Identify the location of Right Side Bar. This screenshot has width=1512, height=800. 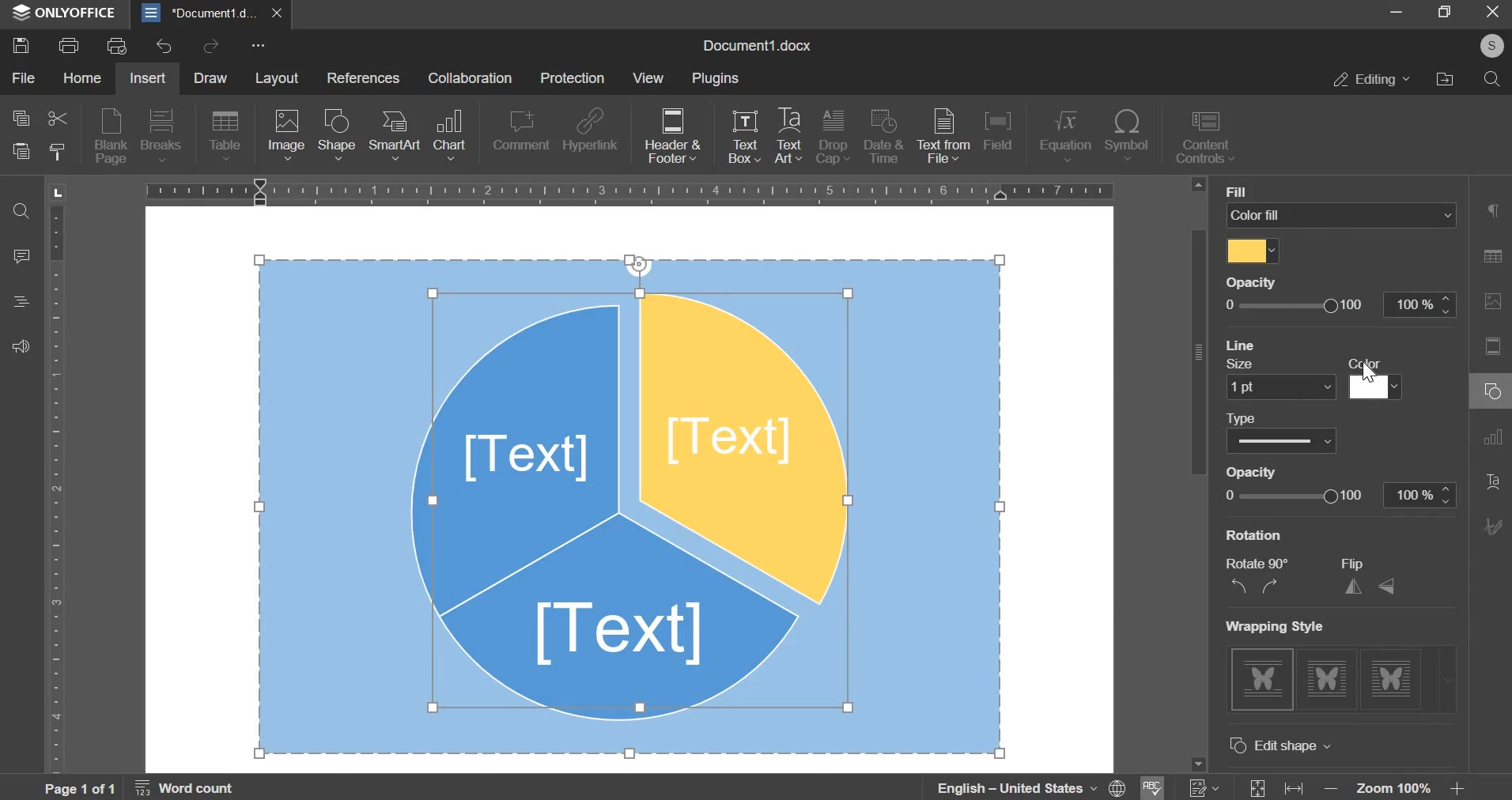
(1491, 376).